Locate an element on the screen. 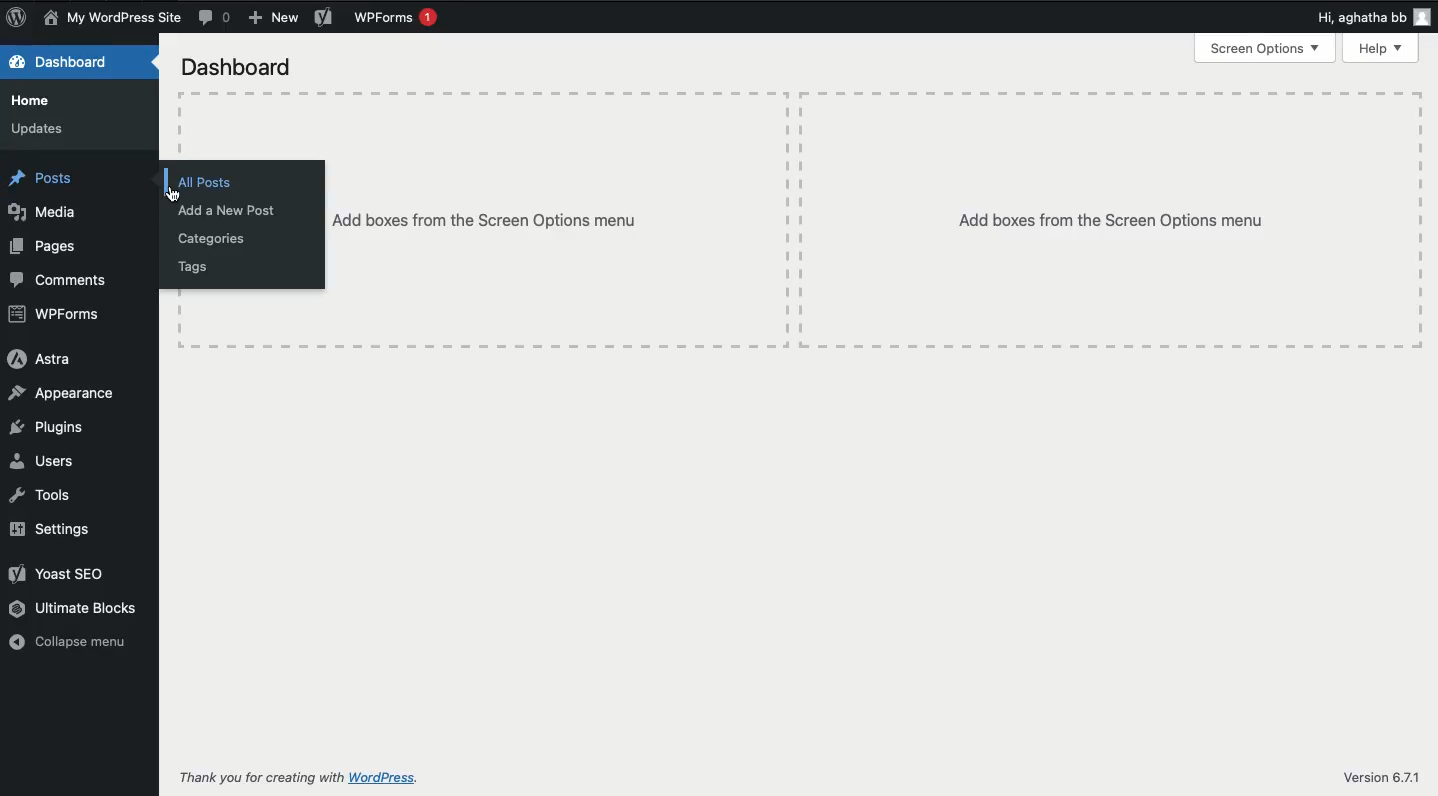 The image size is (1438, 796). WPForms is located at coordinates (394, 18).